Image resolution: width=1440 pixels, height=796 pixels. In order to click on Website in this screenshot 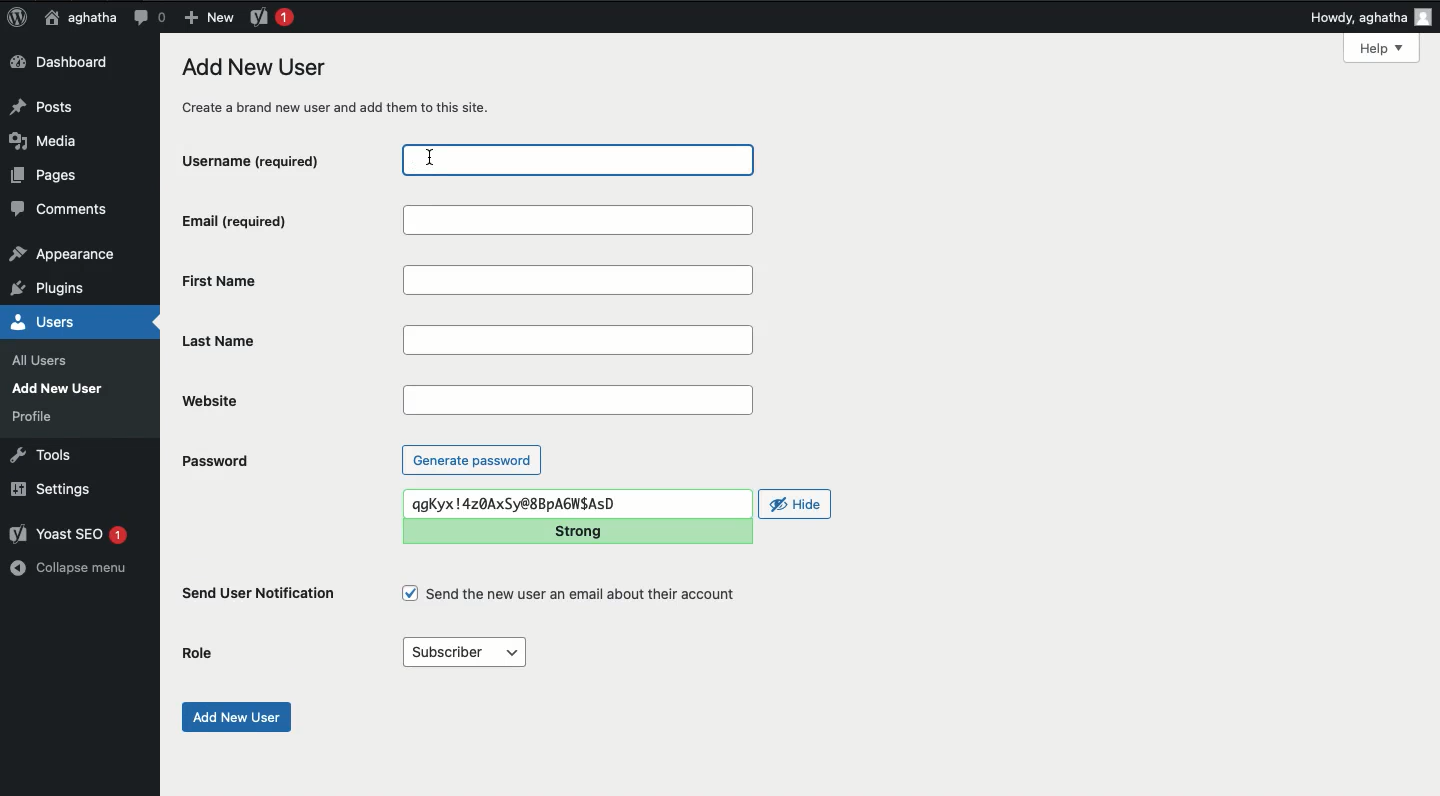, I will do `click(290, 401)`.